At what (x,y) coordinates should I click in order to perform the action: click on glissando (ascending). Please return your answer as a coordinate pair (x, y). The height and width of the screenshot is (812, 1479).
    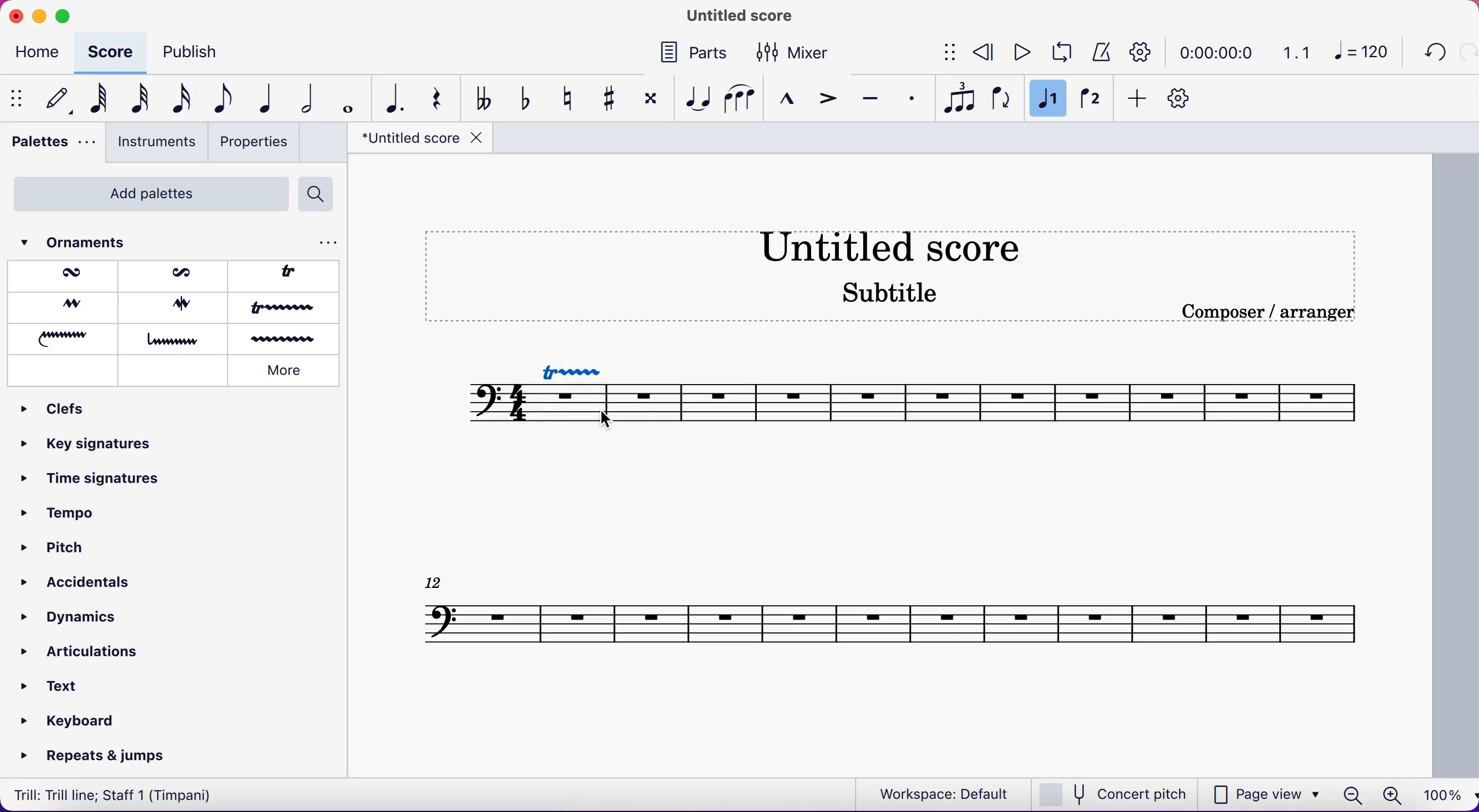
    Looking at the image, I should click on (65, 337).